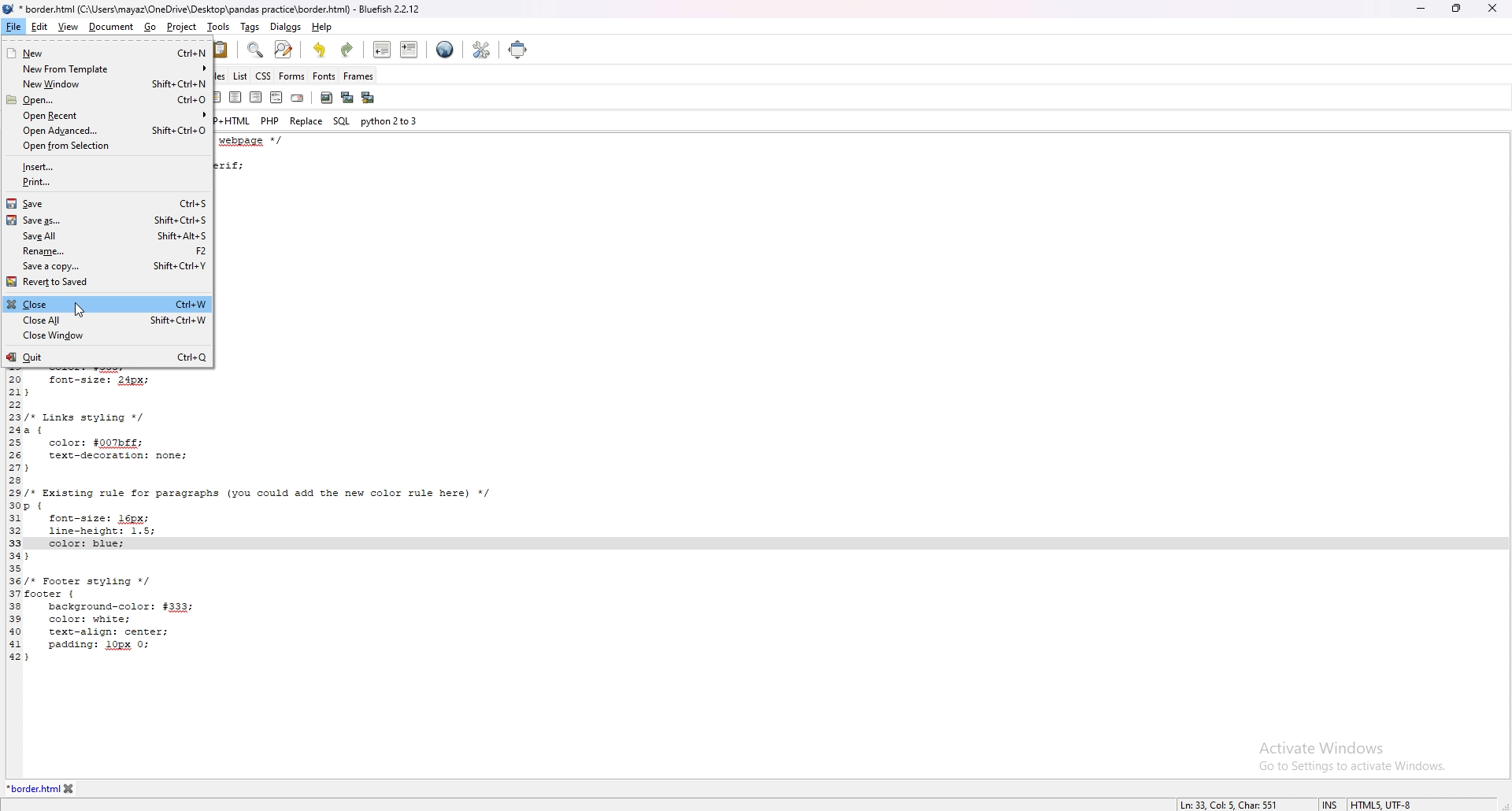 The image size is (1512, 811). Describe the element at coordinates (40, 27) in the screenshot. I see `edit` at that location.